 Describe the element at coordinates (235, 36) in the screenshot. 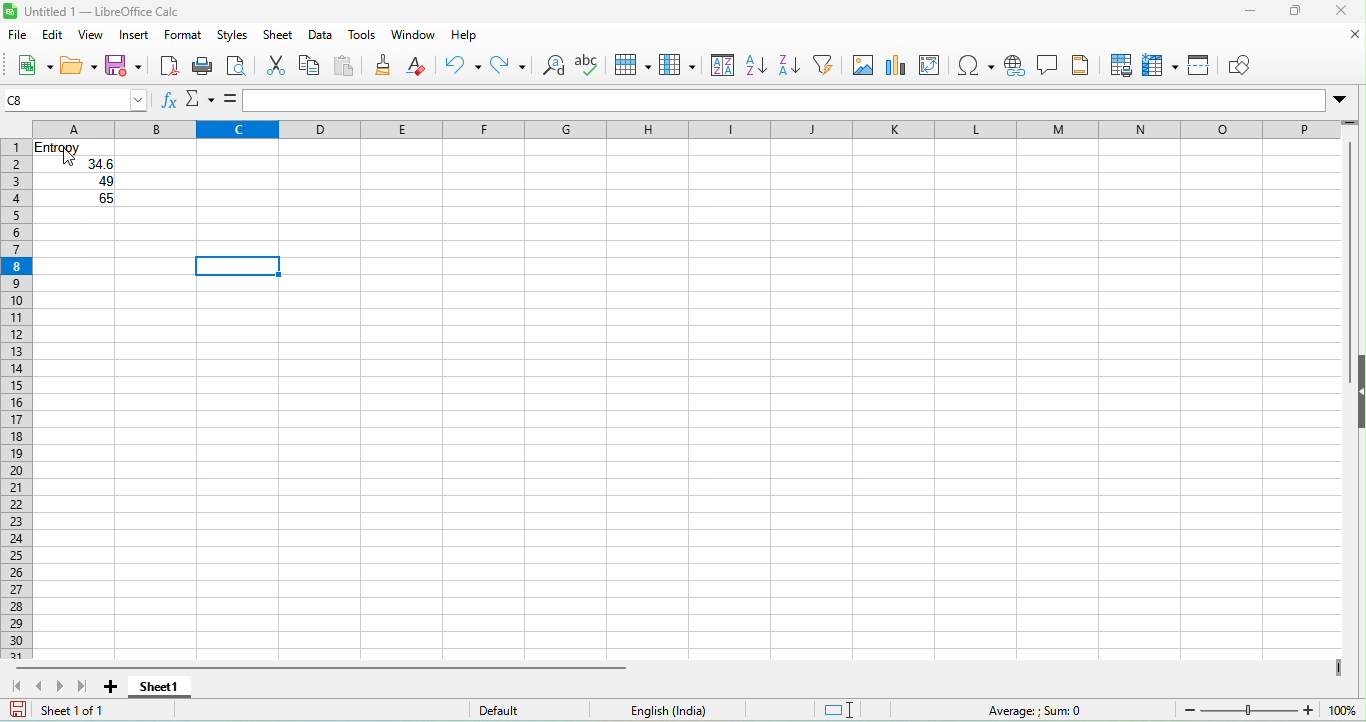

I see `styles` at that location.